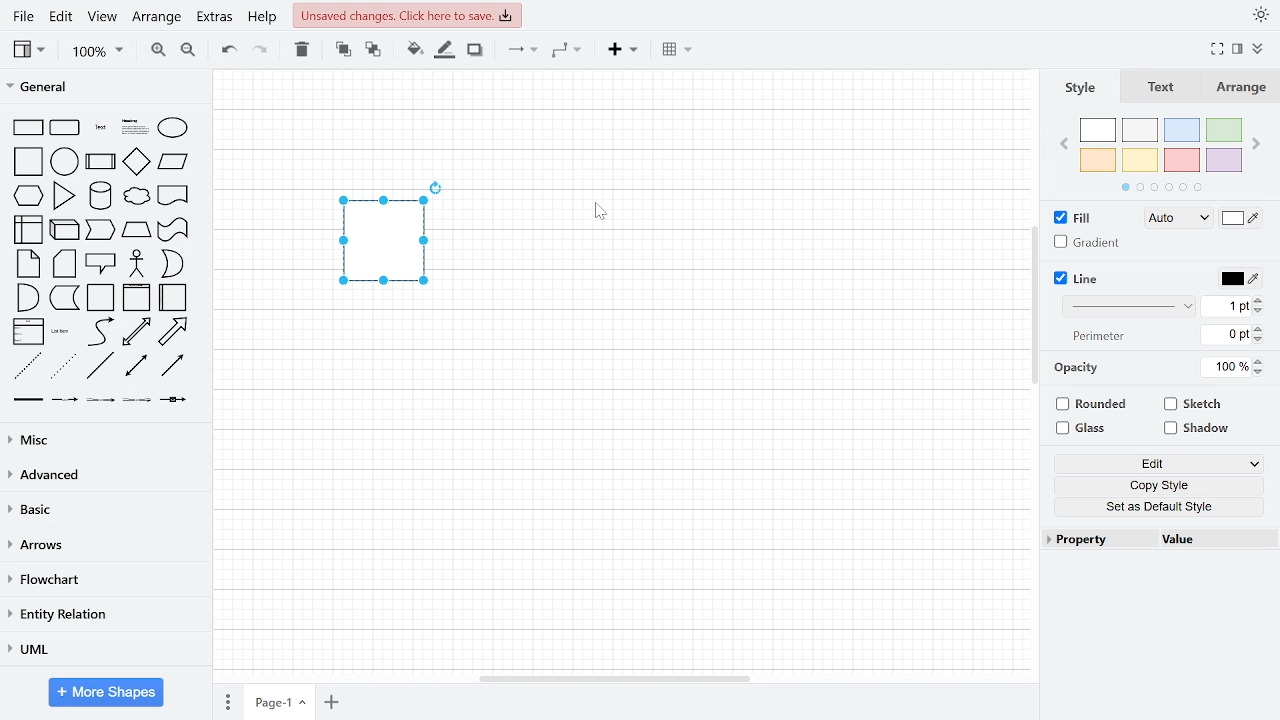 The height and width of the screenshot is (720, 1280). I want to click on view, so click(30, 52).